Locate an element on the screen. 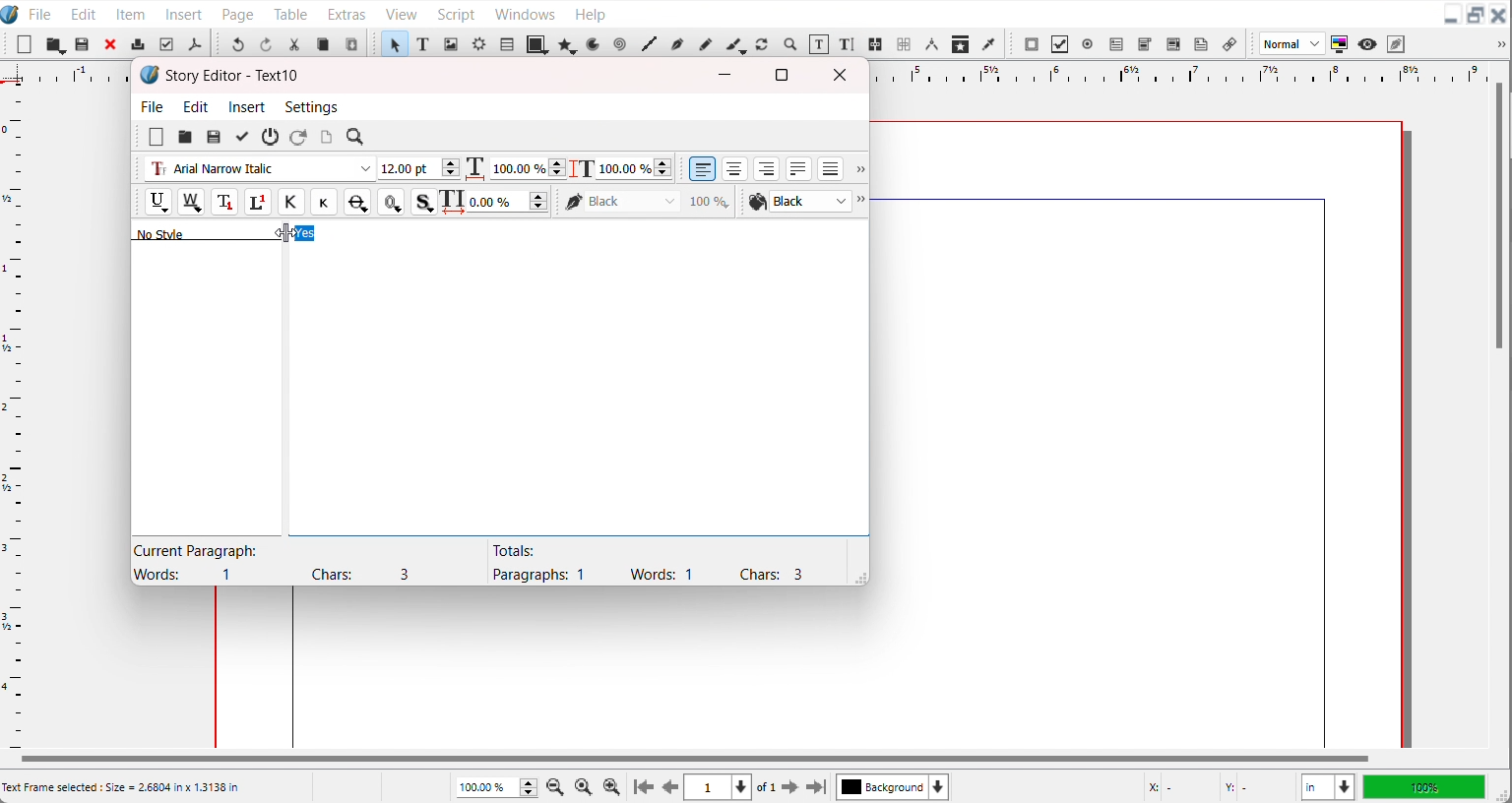 The image size is (1512, 803). Font type is located at coordinates (258, 169).